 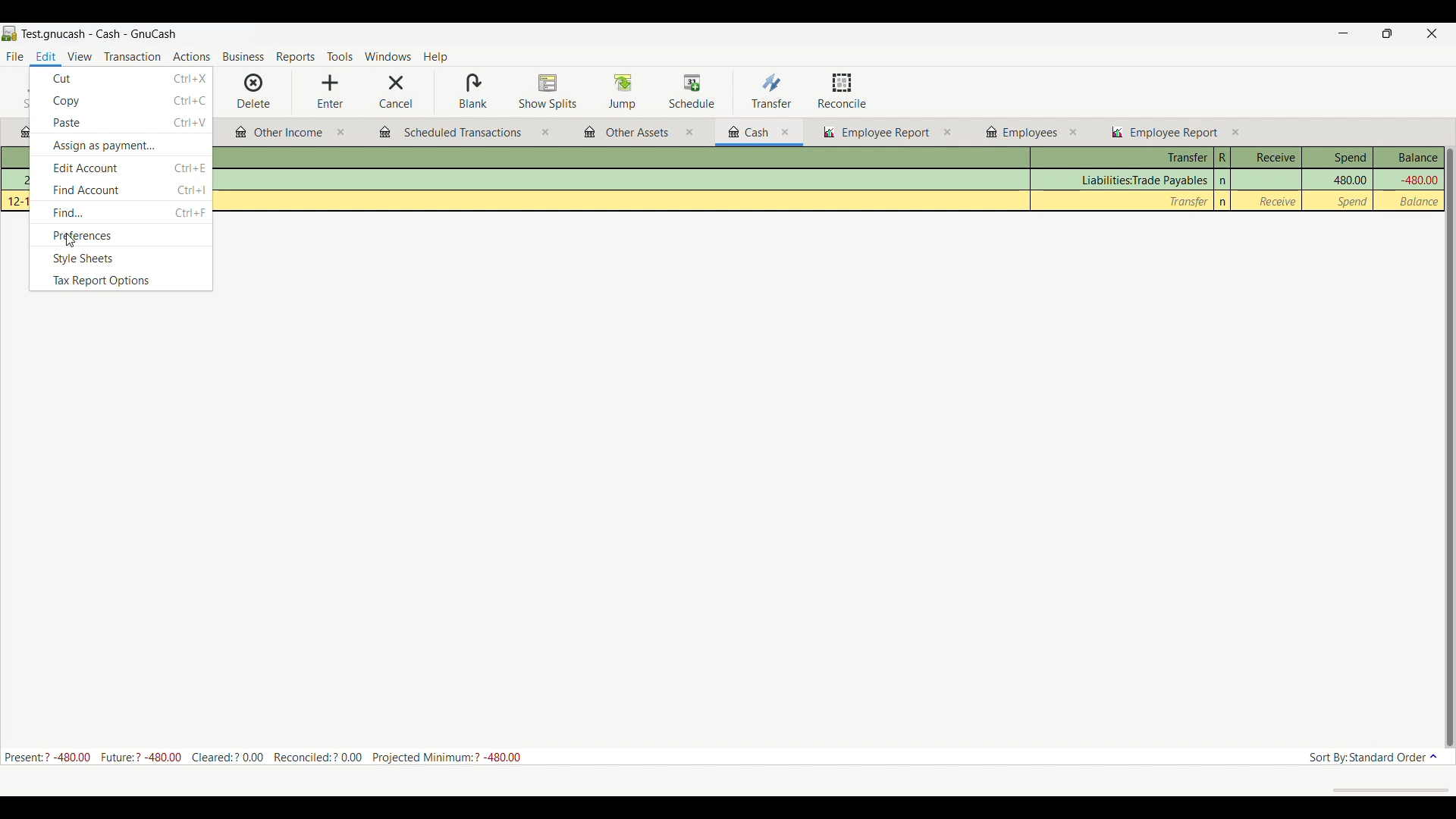 I want to click on Transfer column, so click(x=1142, y=180).